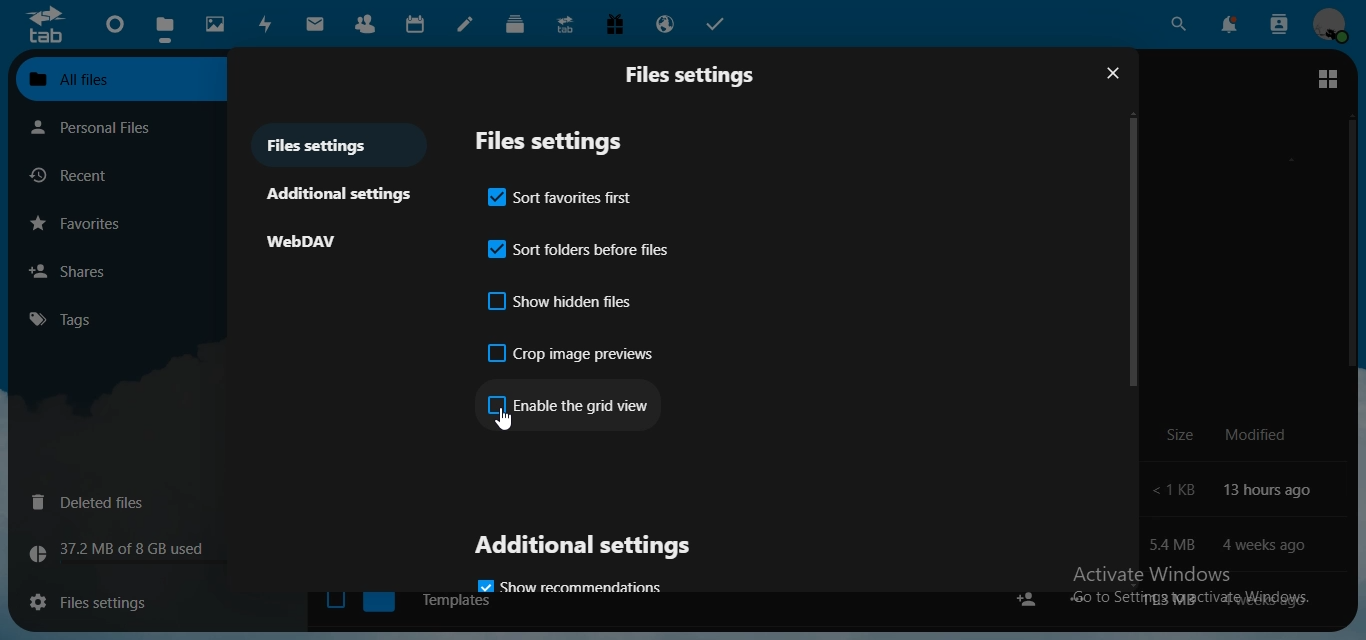  I want to click on text, so click(1167, 601).